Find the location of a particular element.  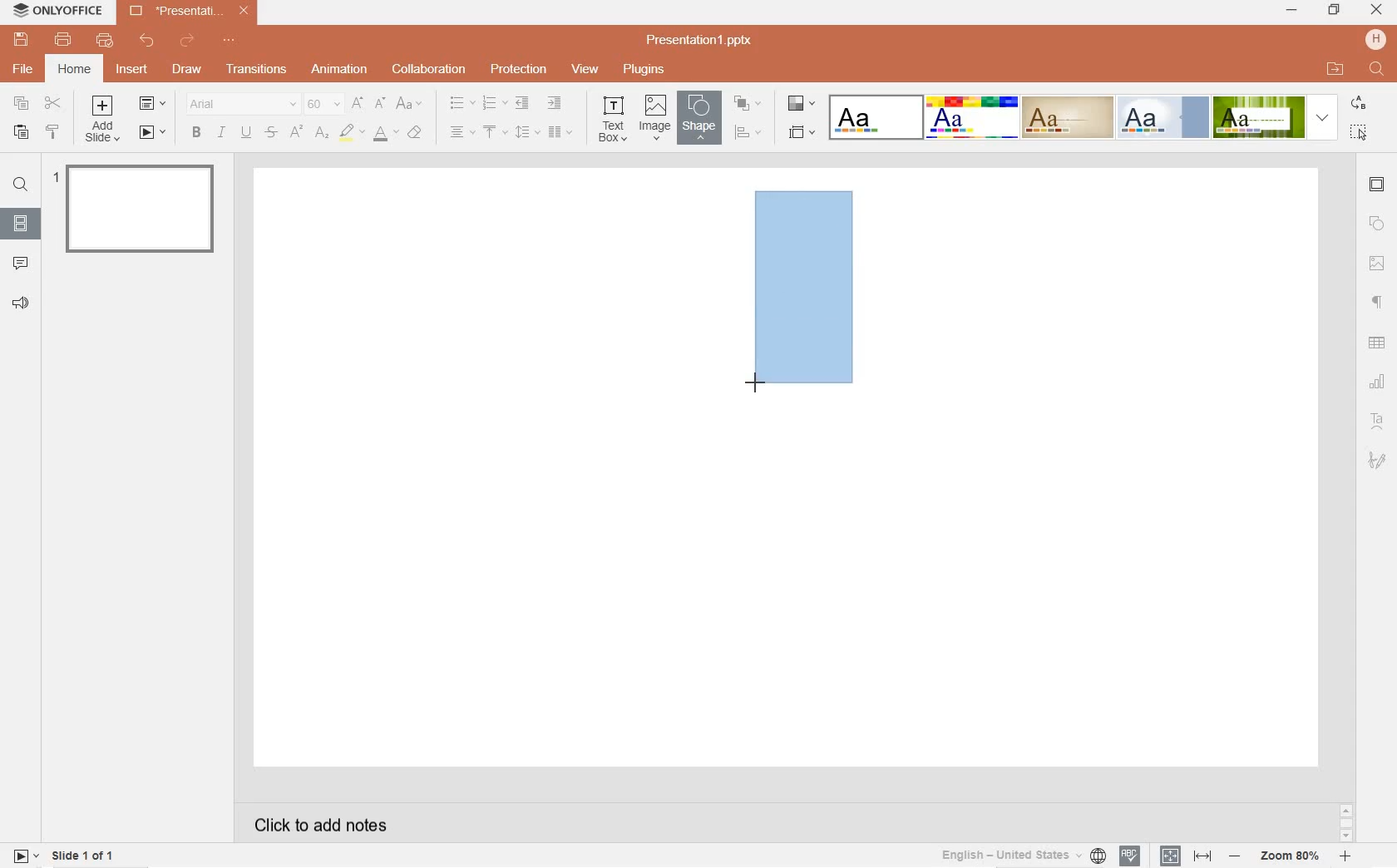

slides is located at coordinates (20, 220).